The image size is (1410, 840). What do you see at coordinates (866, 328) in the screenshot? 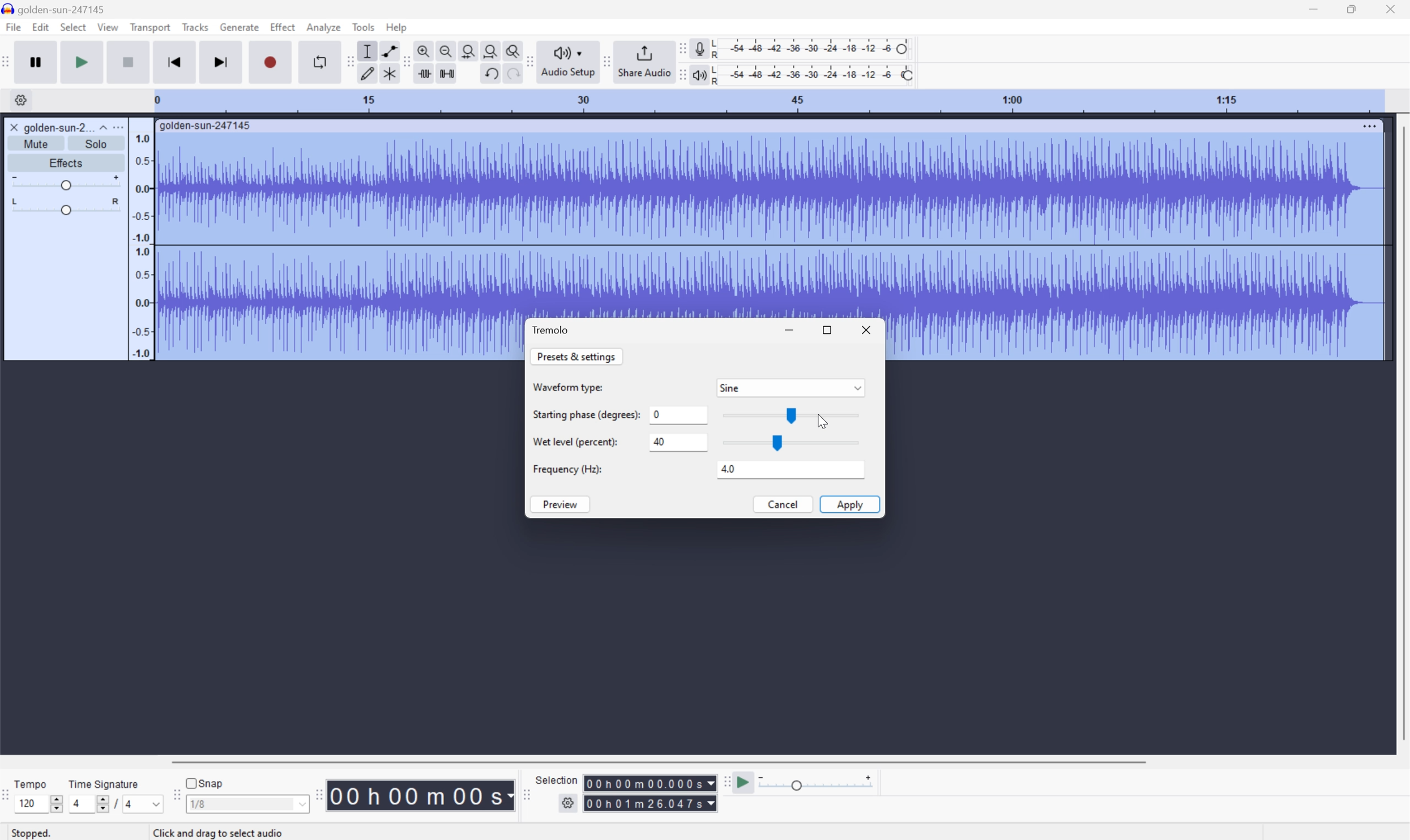
I see `Close` at bounding box center [866, 328].